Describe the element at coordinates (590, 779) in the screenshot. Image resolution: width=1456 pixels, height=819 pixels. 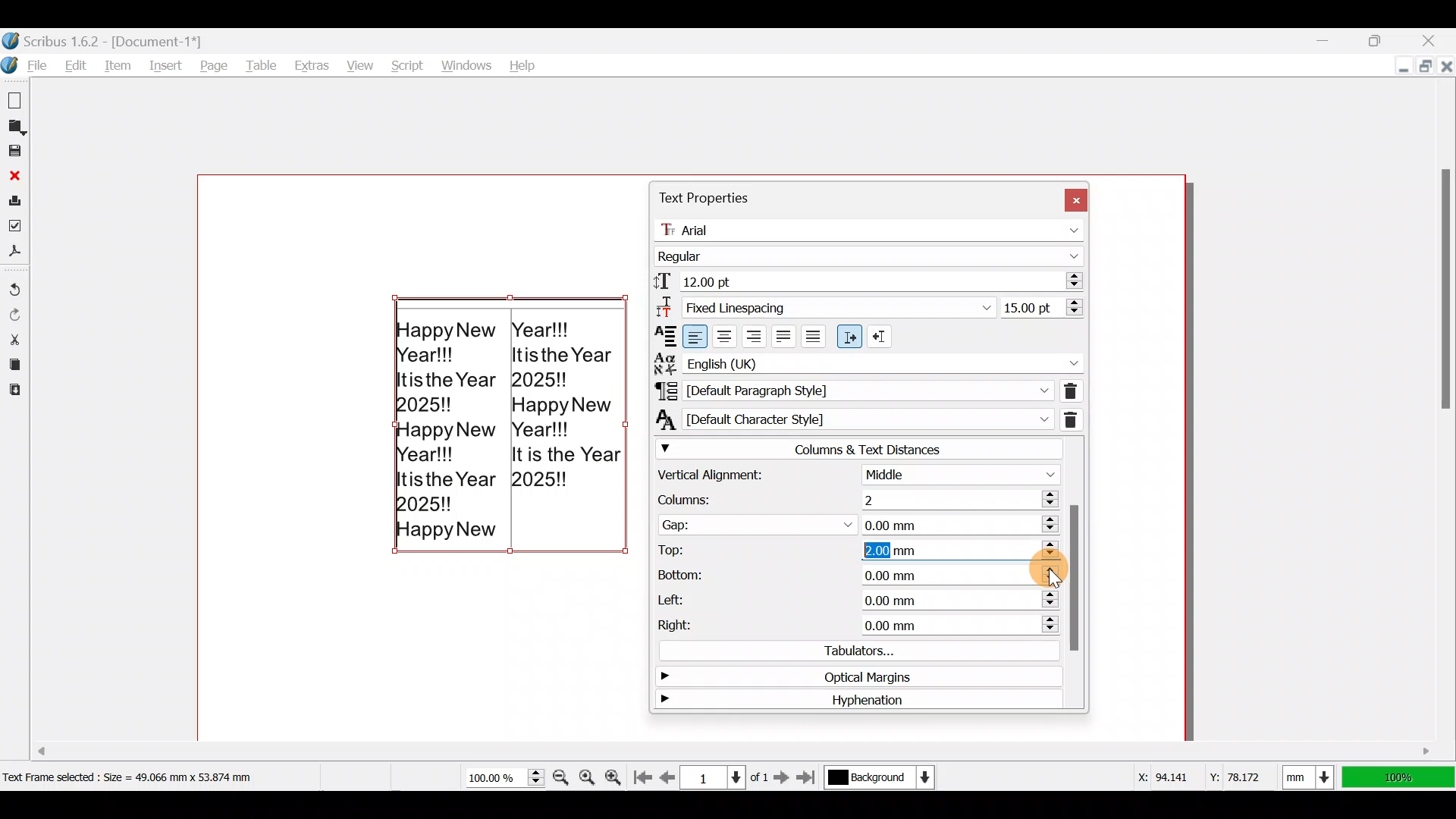
I see `Zoom to 100%` at that location.